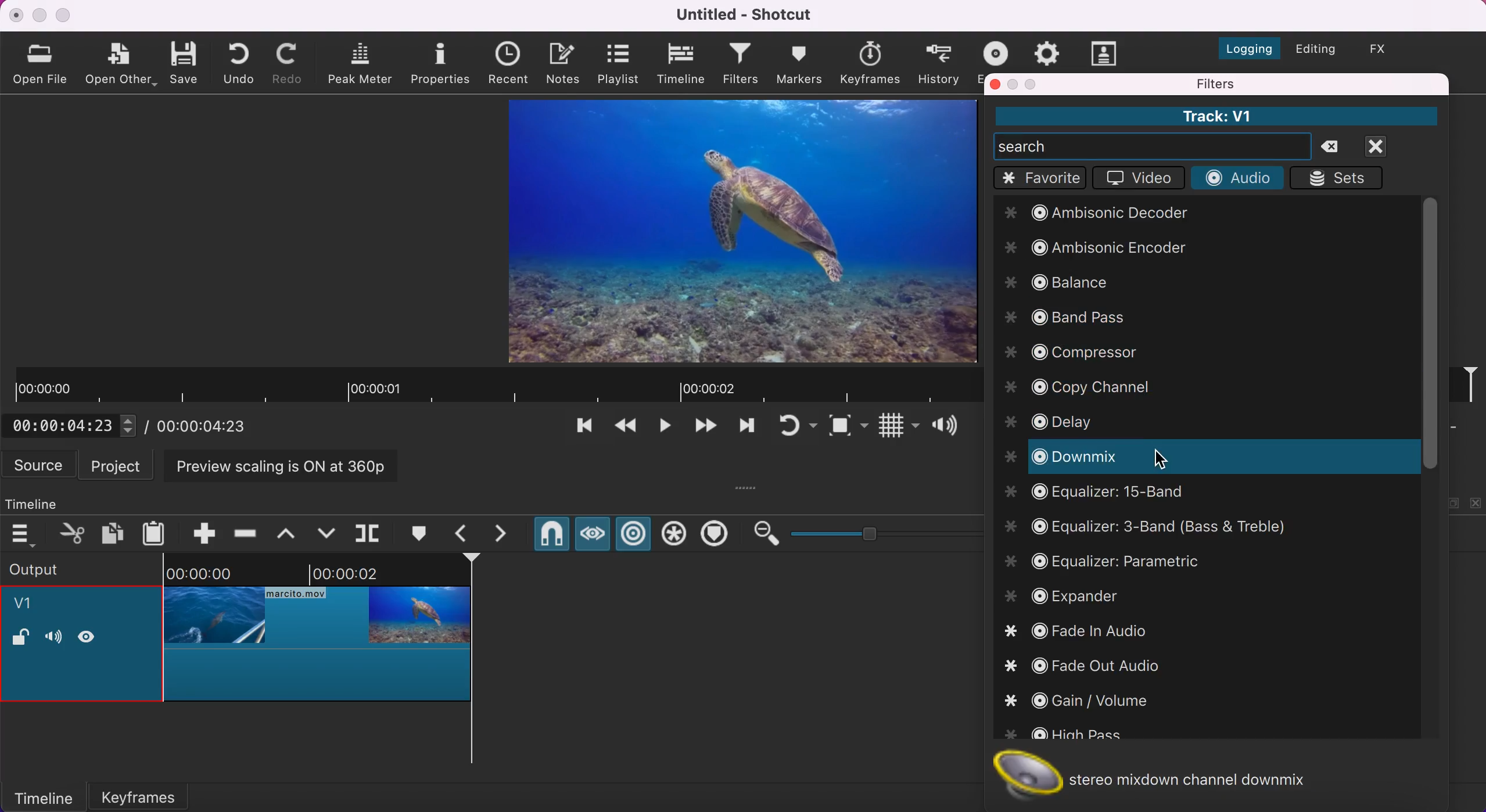 This screenshot has width=1486, height=812. I want to click on cropped clip, so click(318, 635).